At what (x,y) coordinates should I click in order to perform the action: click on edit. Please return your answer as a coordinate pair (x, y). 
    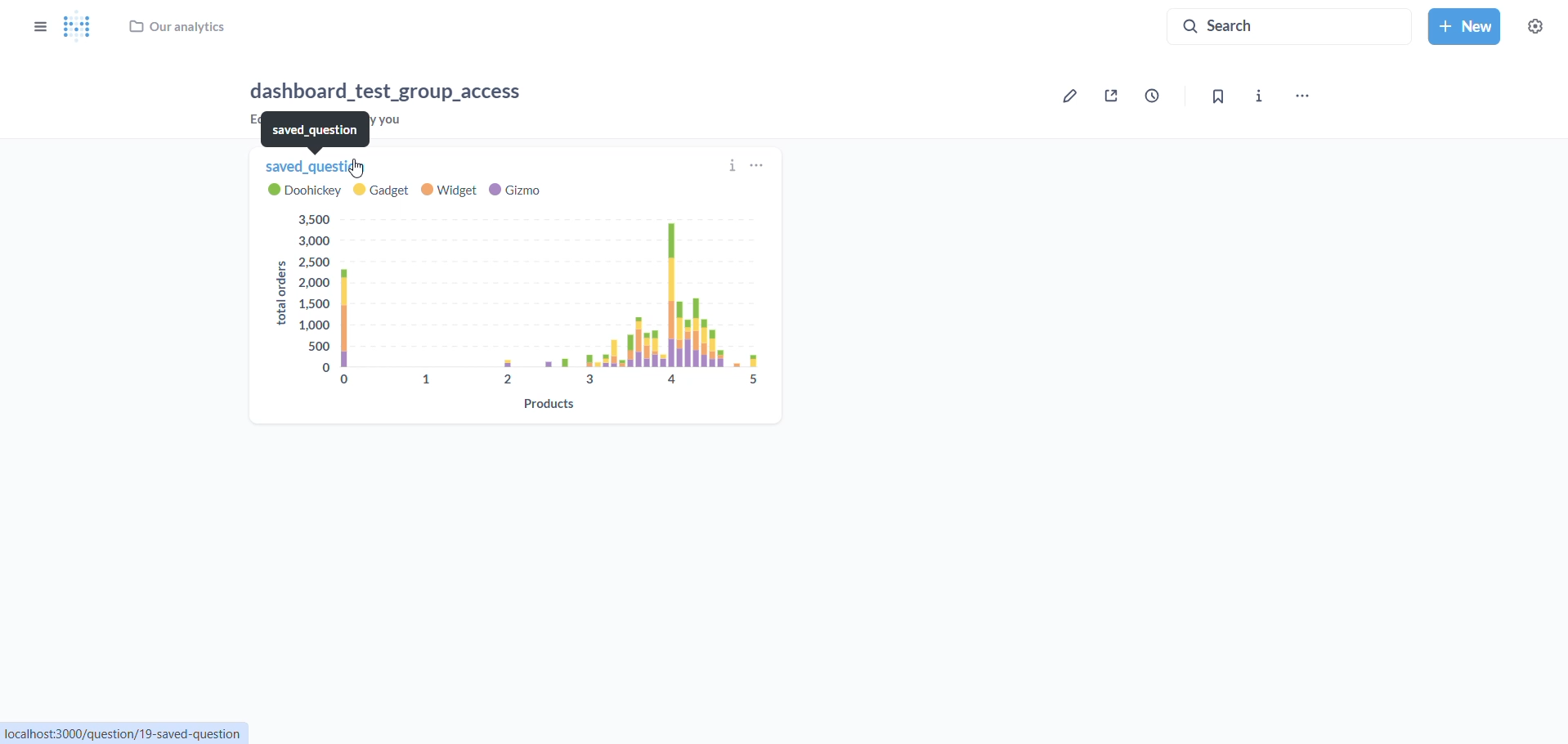
    Looking at the image, I should click on (1067, 97).